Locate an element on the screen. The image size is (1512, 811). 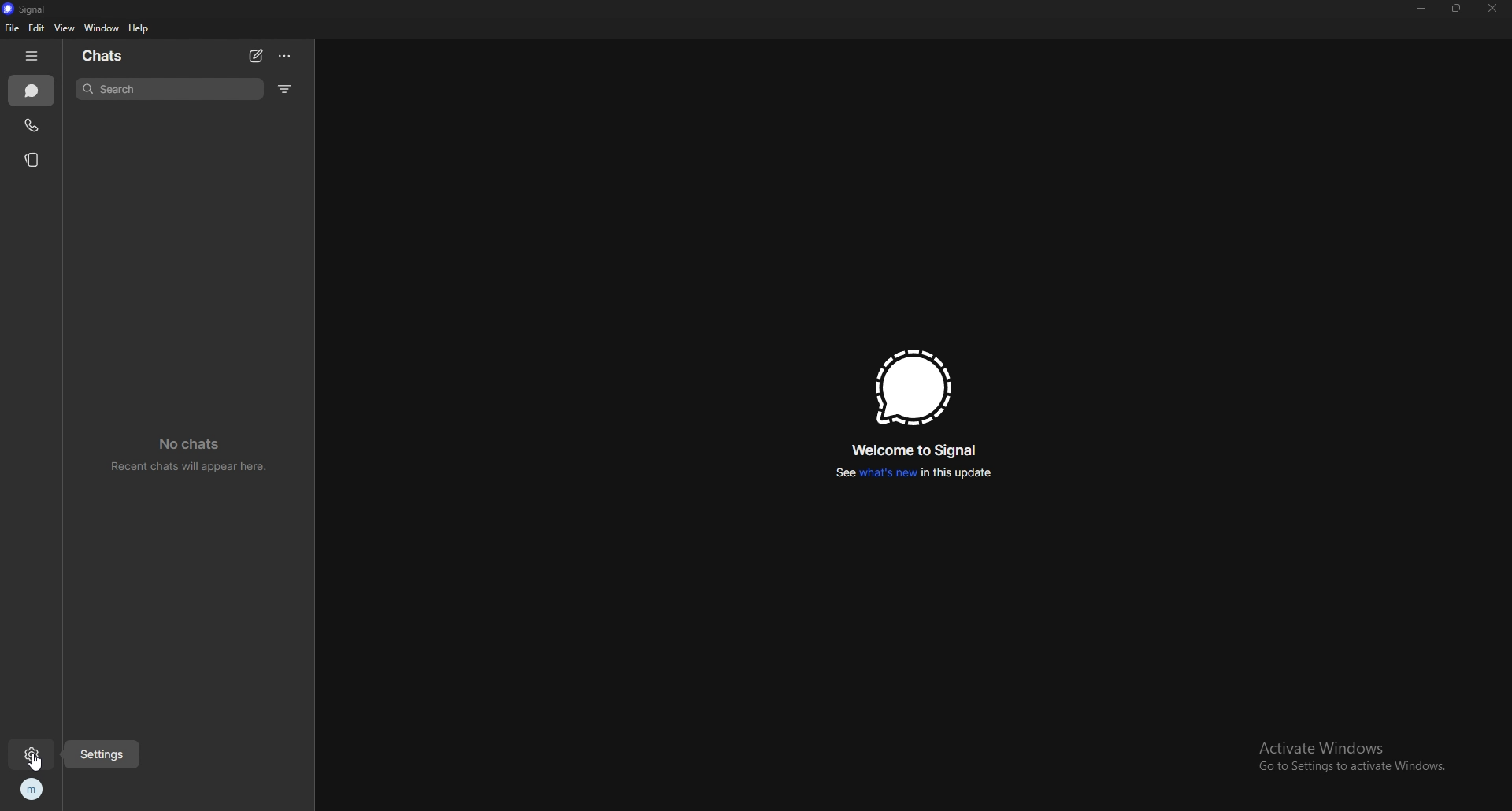
filter is located at coordinates (287, 90).